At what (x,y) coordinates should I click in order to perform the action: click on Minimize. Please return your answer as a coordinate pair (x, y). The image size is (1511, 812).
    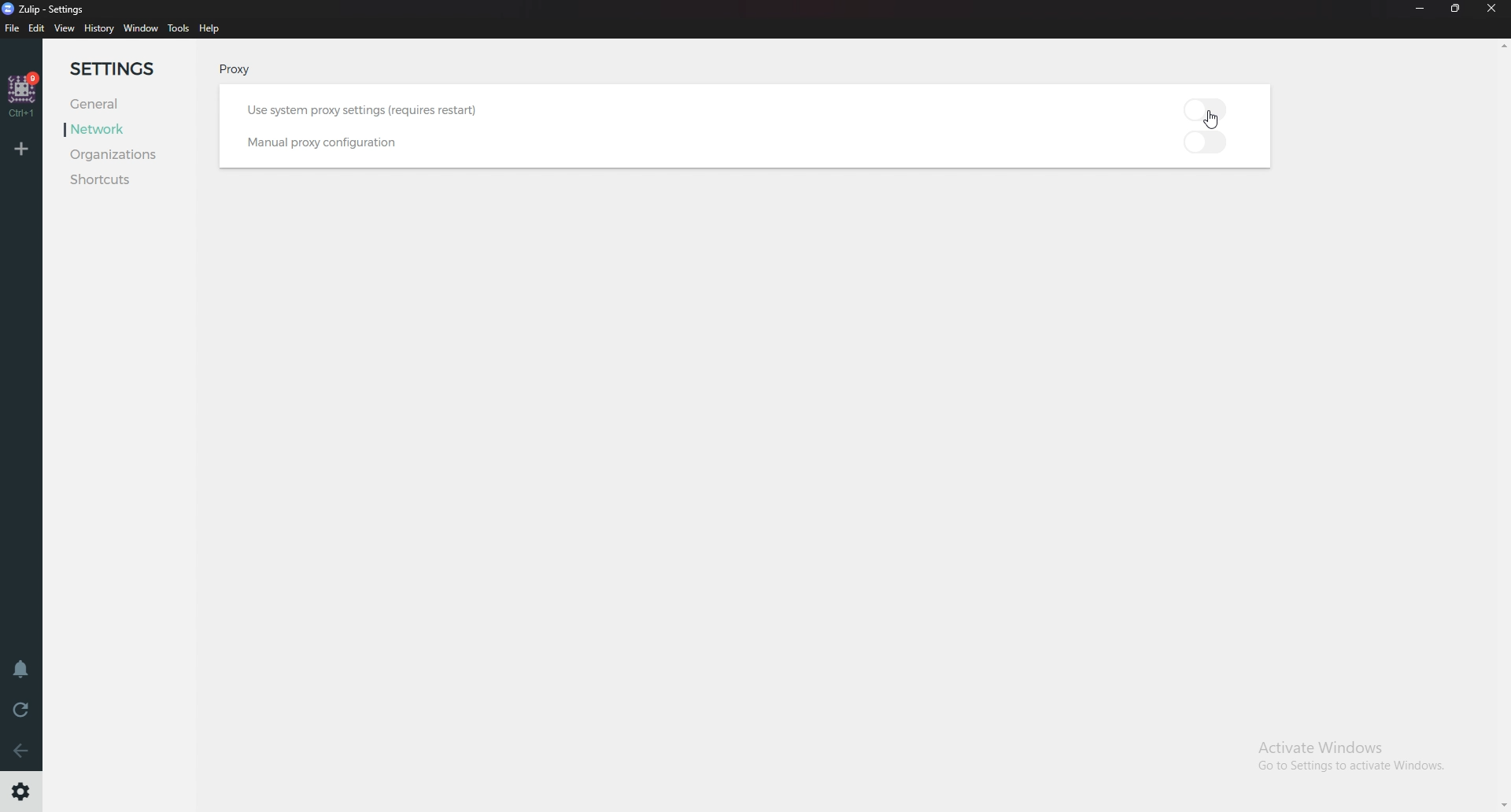
    Looking at the image, I should click on (1420, 8).